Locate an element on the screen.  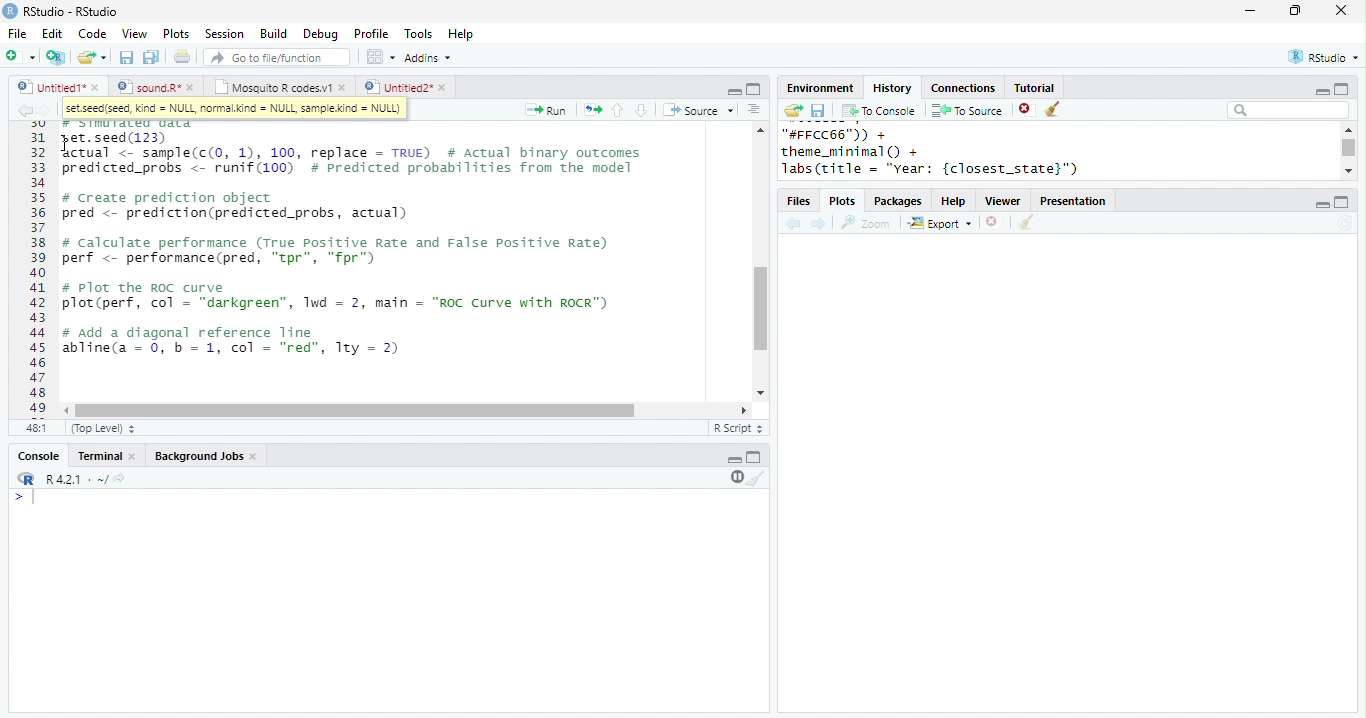
search file is located at coordinates (278, 57).